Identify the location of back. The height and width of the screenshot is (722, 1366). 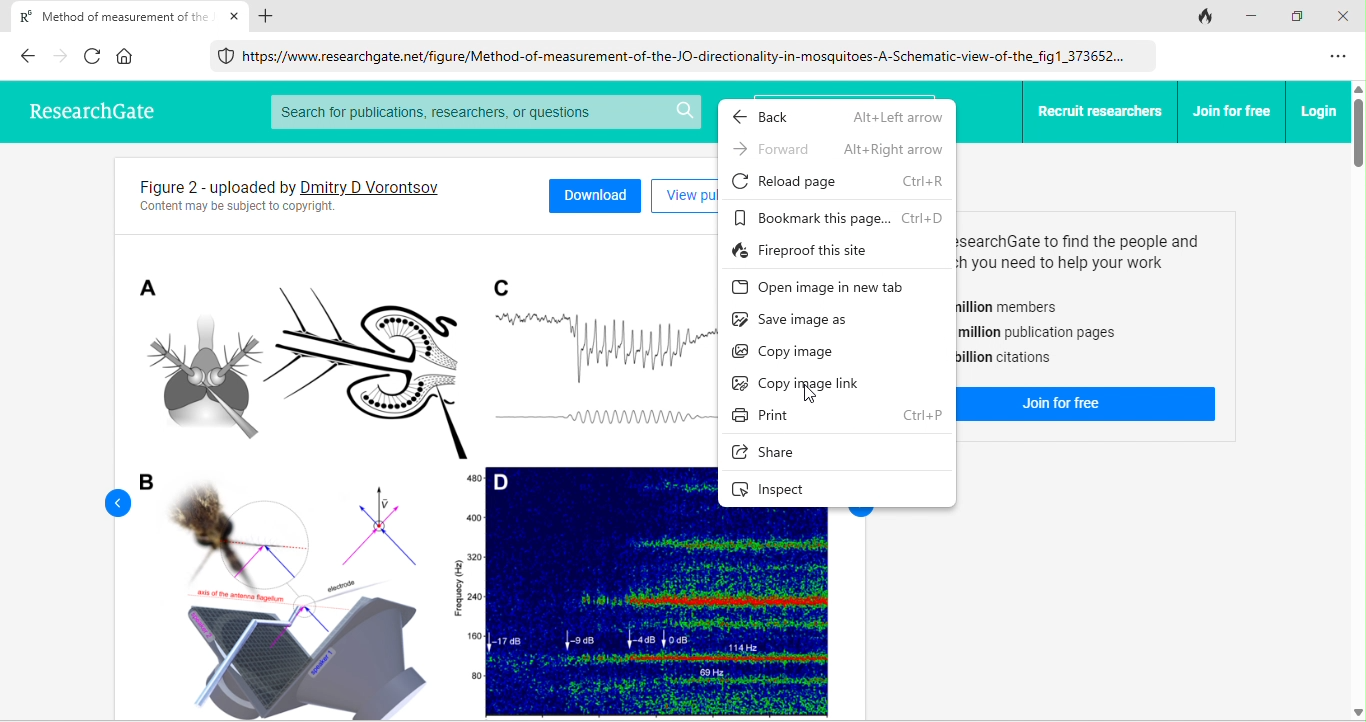
(108, 502).